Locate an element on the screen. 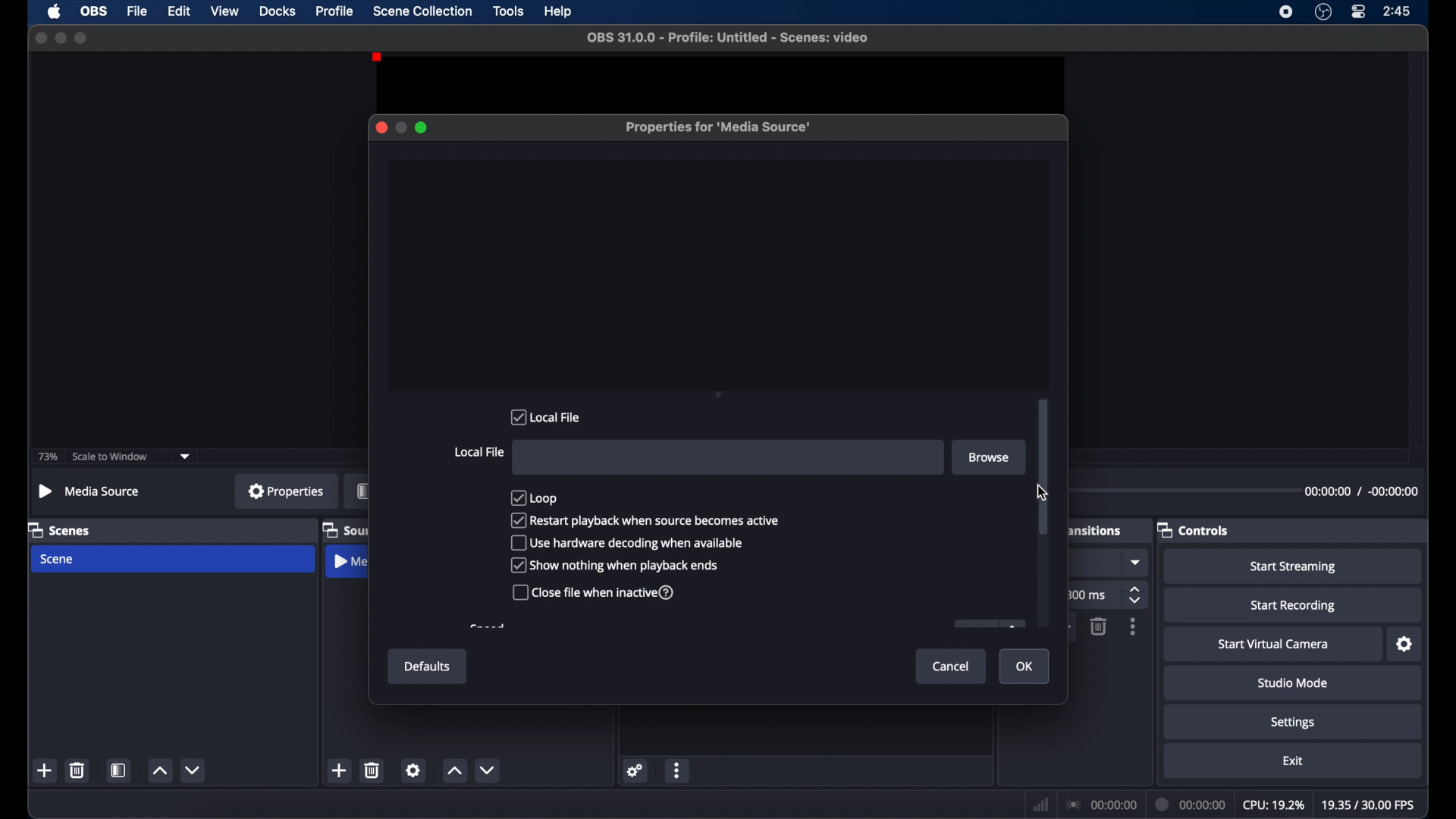  close is located at coordinates (38, 37).